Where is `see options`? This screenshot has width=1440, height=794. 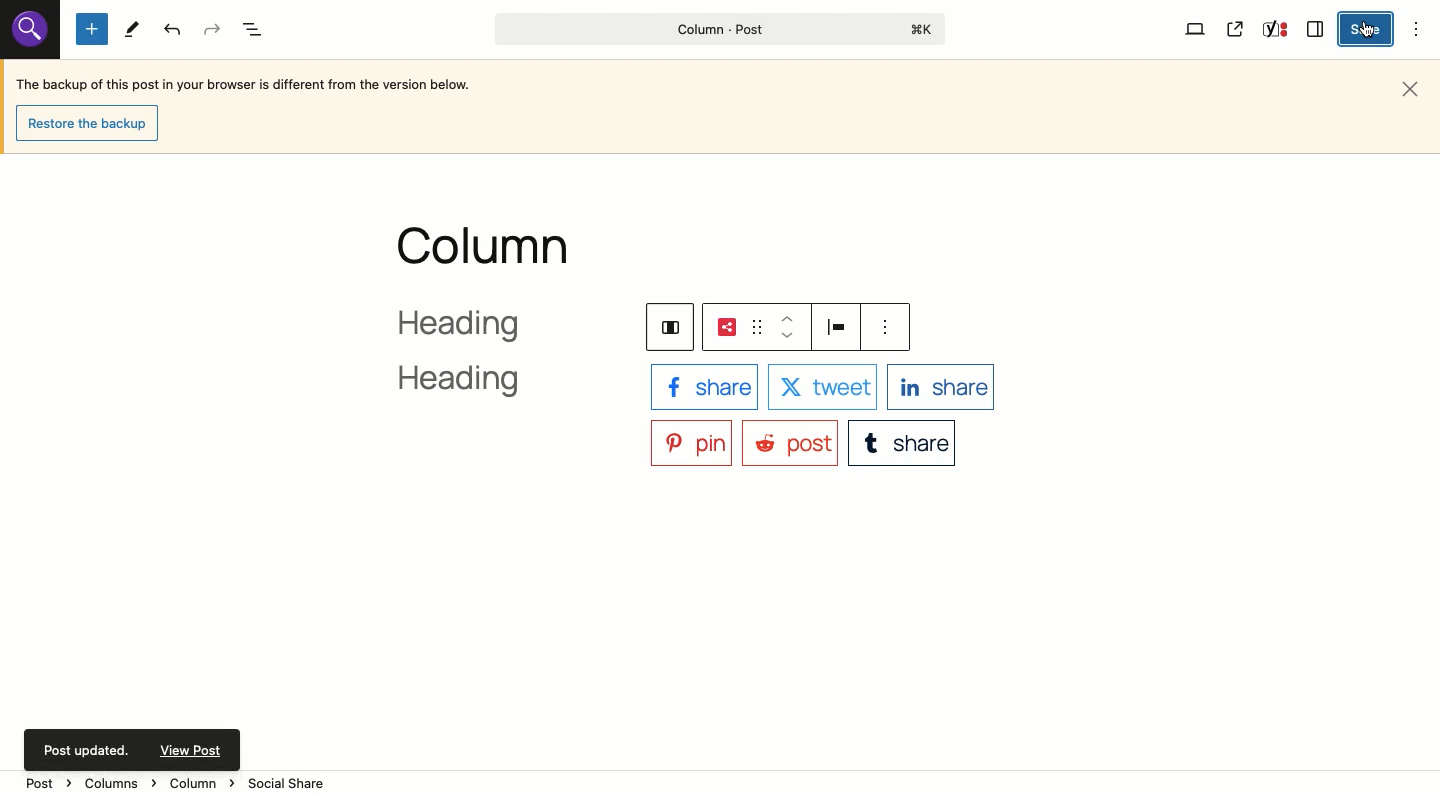
see options is located at coordinates (889, 327).